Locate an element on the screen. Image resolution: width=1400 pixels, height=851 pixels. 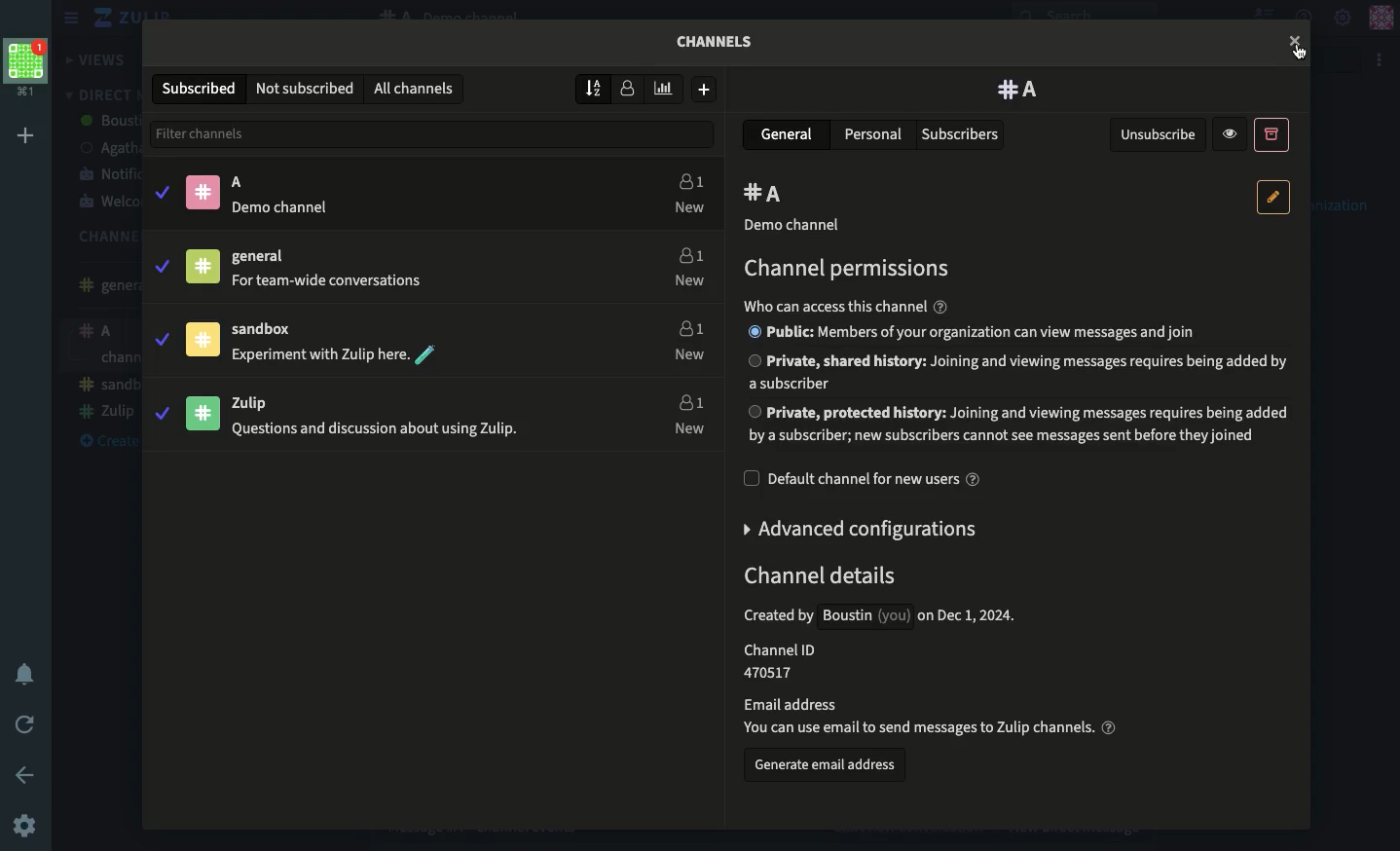
Edit is located at coordinates (1274, 197).